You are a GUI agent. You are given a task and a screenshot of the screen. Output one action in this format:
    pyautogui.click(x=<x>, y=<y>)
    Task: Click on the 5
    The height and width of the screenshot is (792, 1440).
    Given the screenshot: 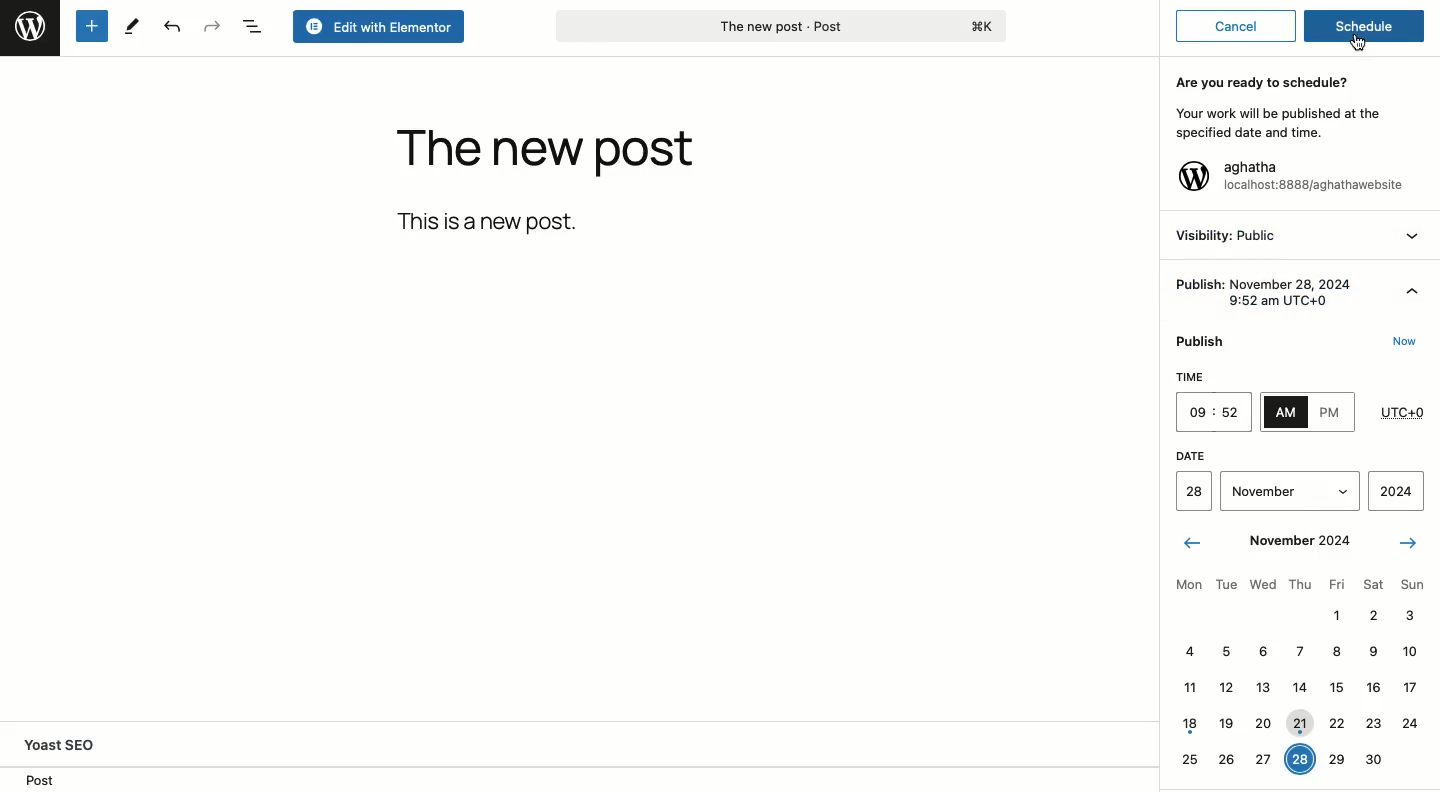 What is the action you would take?
    pyautogui.click(x=1223, y=651)
    